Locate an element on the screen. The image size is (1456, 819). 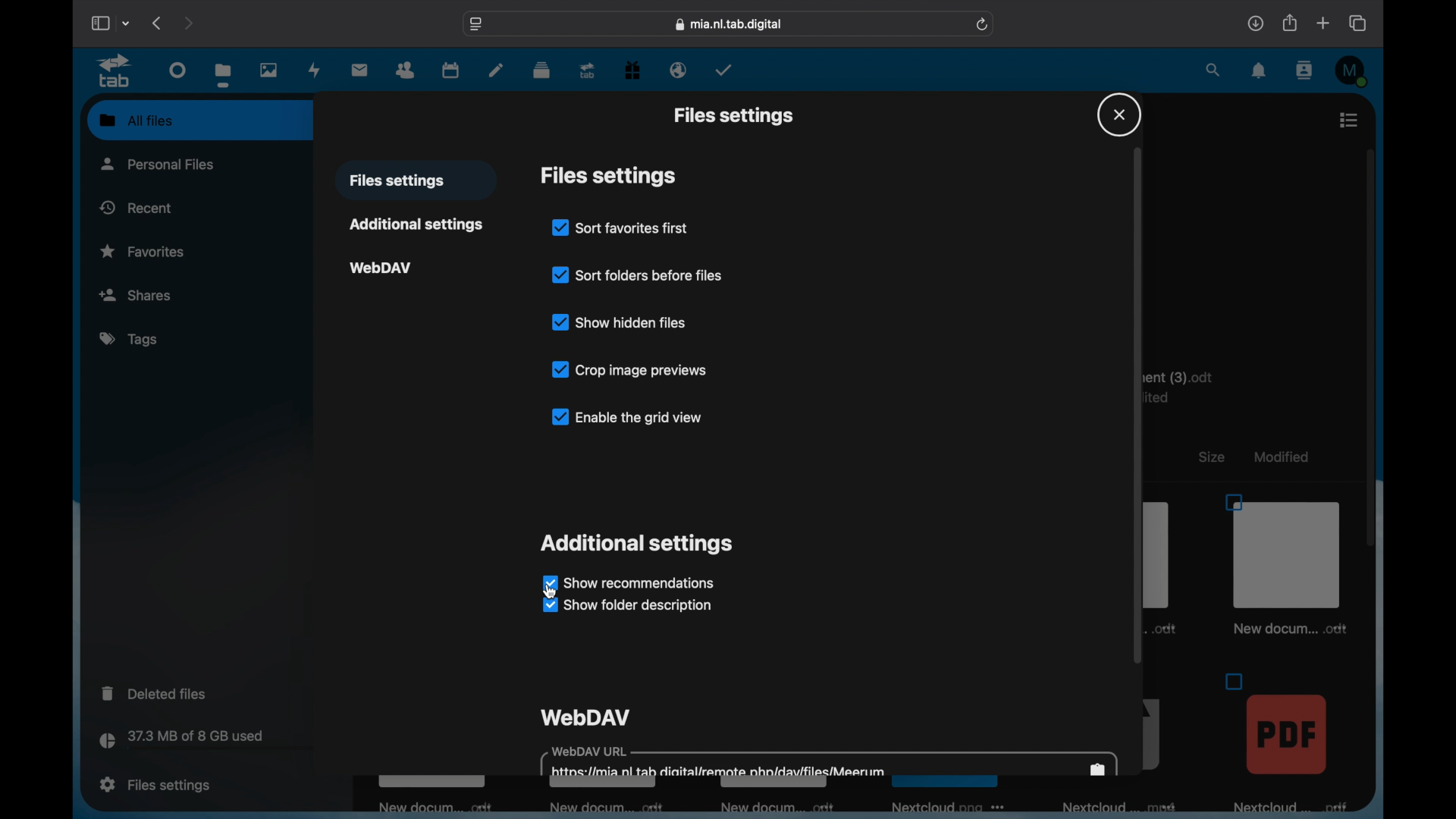
contacts is located at coordinates (1304, 71).